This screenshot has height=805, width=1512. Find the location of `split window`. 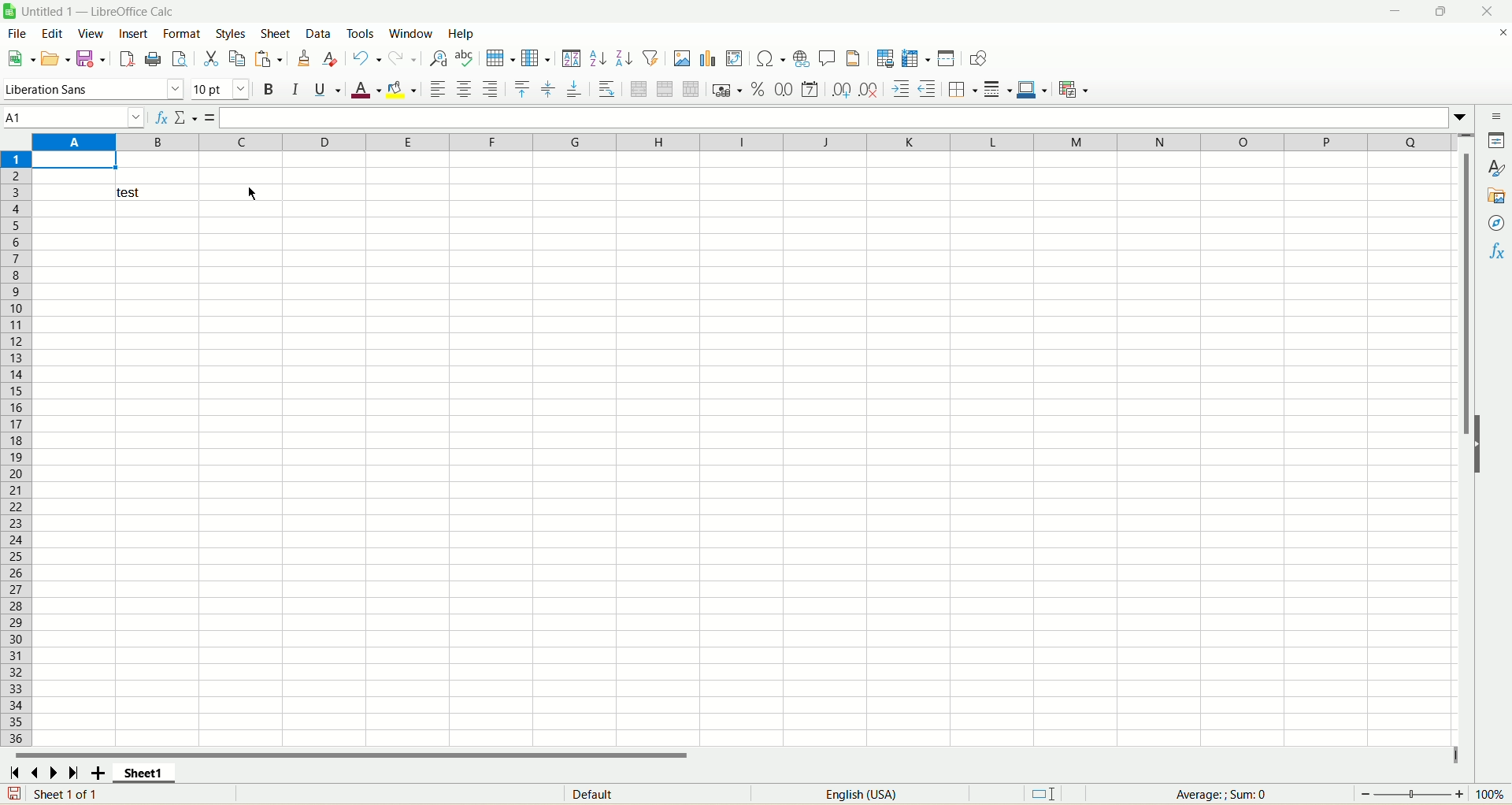

split window is located at coordinates (946, 58).